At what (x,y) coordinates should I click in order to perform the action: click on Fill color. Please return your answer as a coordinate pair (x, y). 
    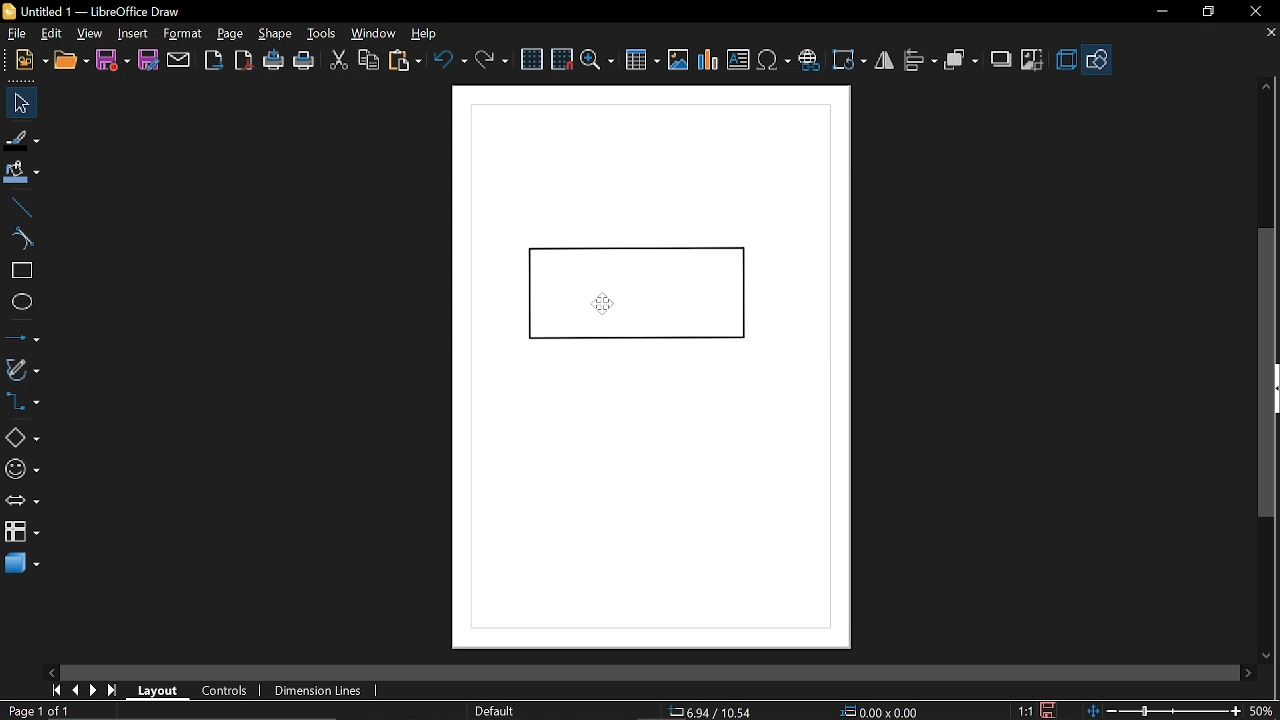
    Looking at the image, I should click on (22, 175).